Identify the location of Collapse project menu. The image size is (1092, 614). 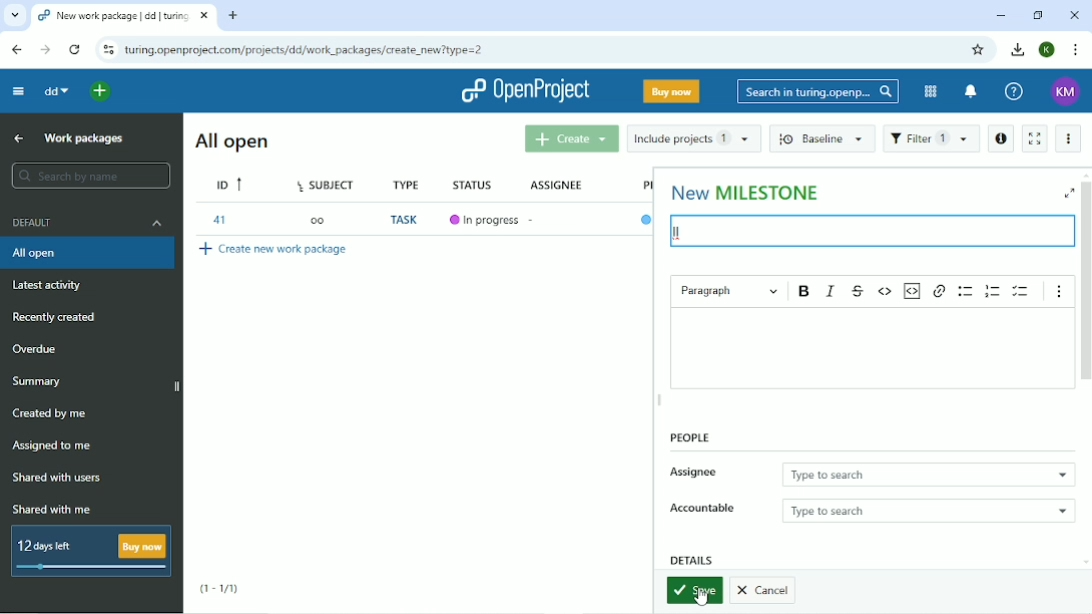
(19, 92).